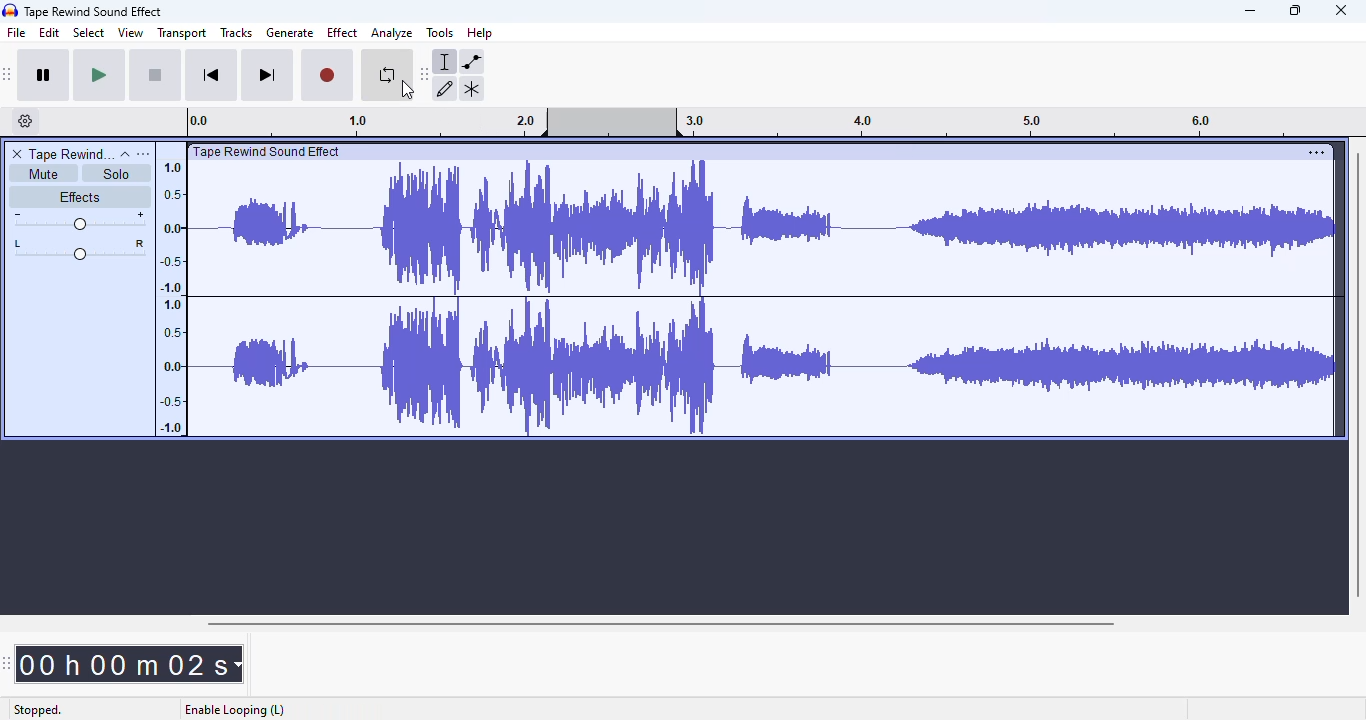 Image resolution: width=1366 pixels, height=720 pixels. What do you see at coordinates (172, 291) in the screenshot?
I see `1.0 0.5 0.0 -0.5 -1.0 1.0 0.5 0.0 -0.5 -1.0` at bounding box center [172, 291].